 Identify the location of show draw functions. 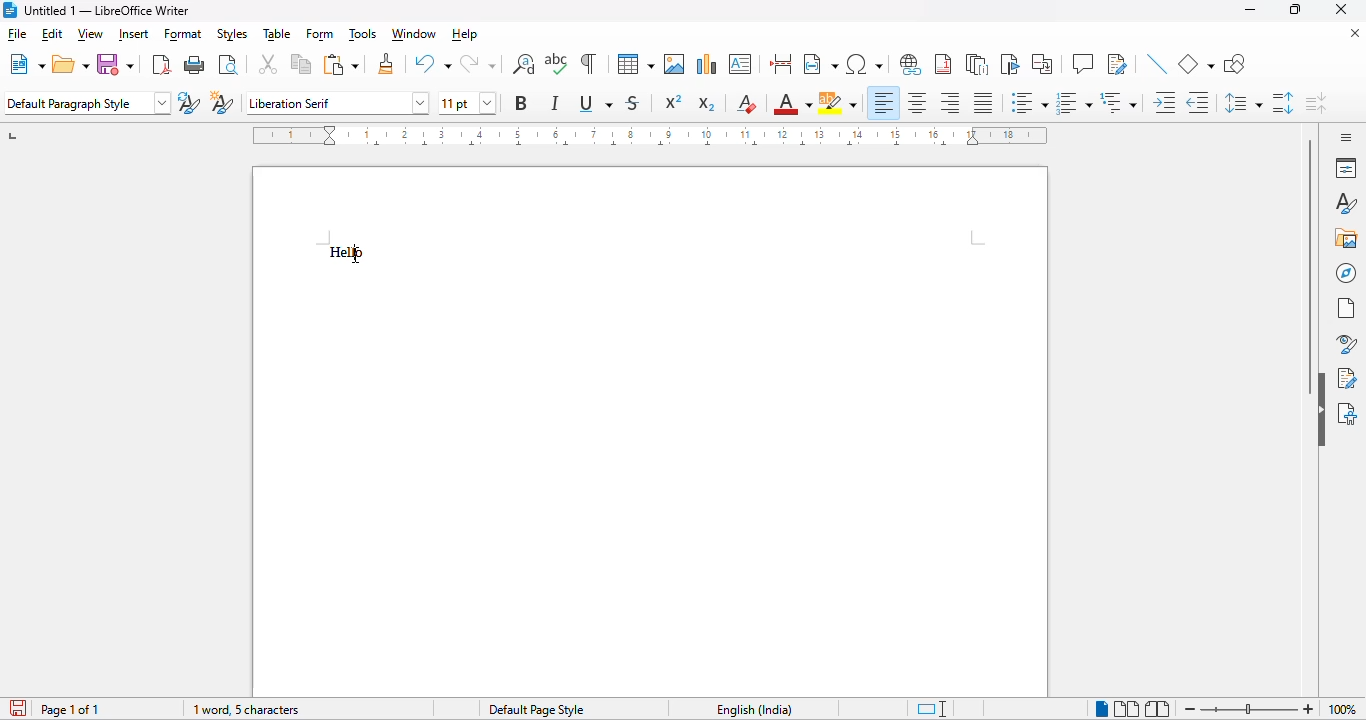
(1234, 65).